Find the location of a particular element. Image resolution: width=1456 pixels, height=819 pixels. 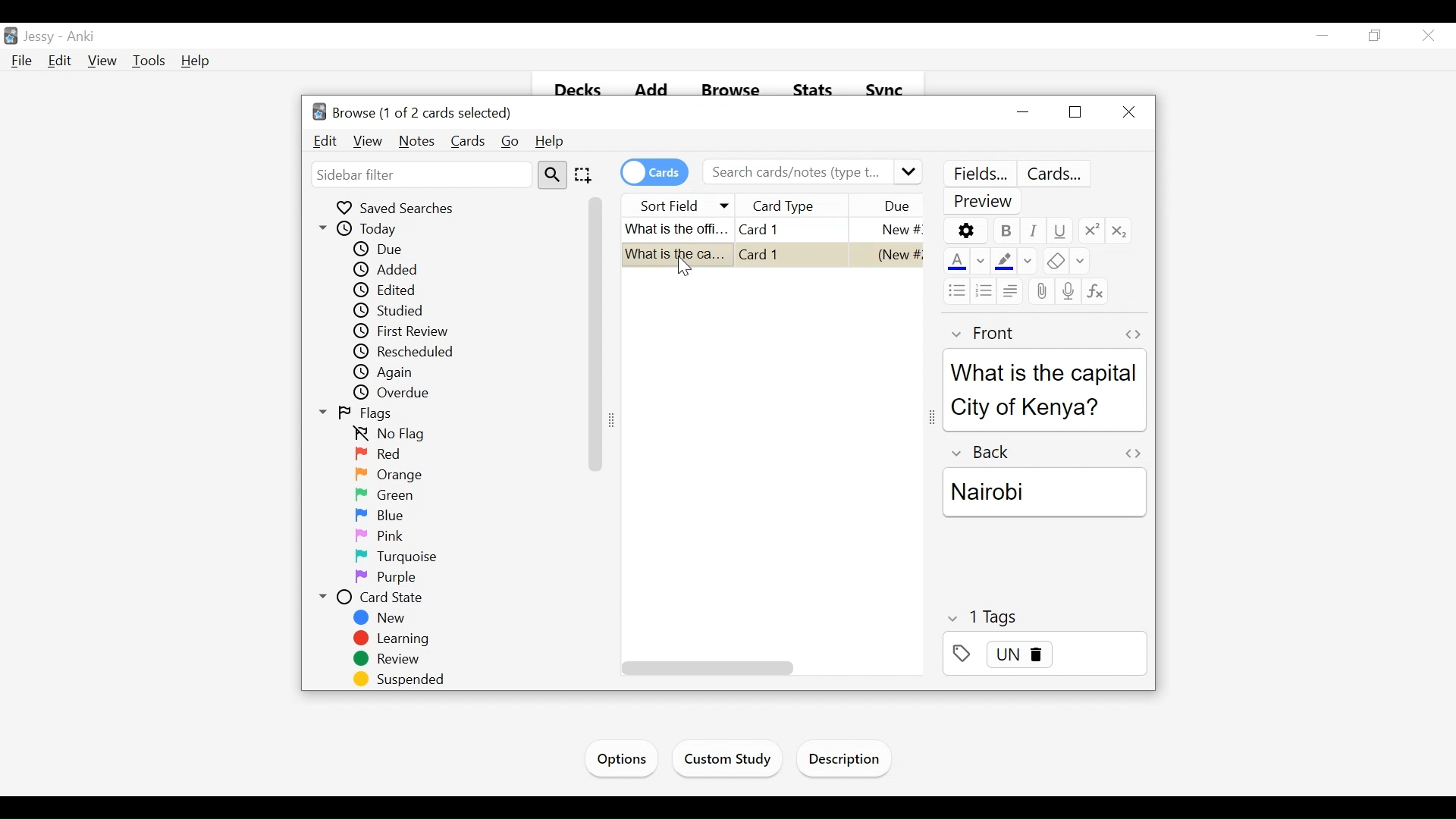

Flags is located at coordinates (359, 415).